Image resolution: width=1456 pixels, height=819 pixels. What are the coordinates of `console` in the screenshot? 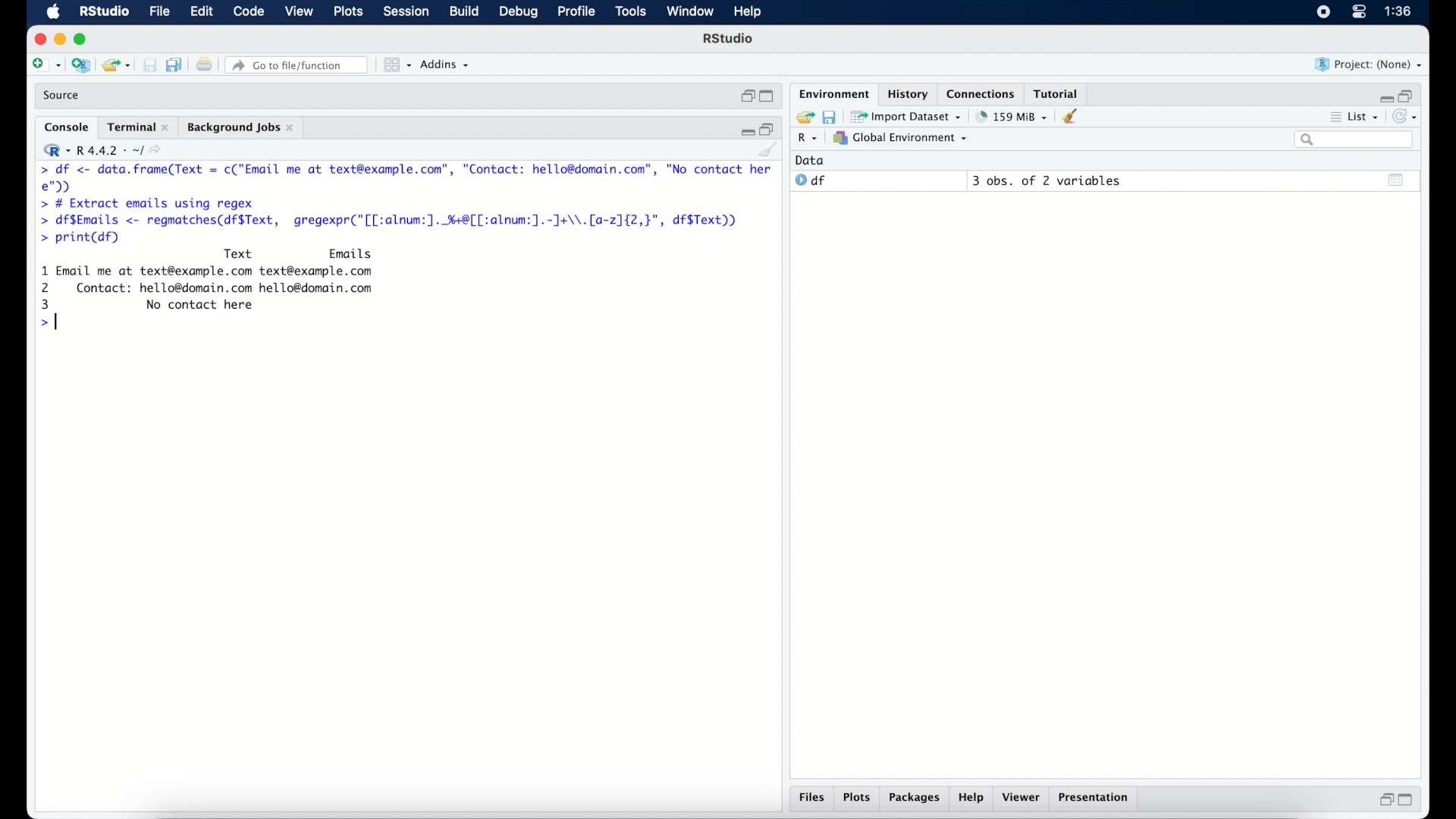 It's located at (64, 126).